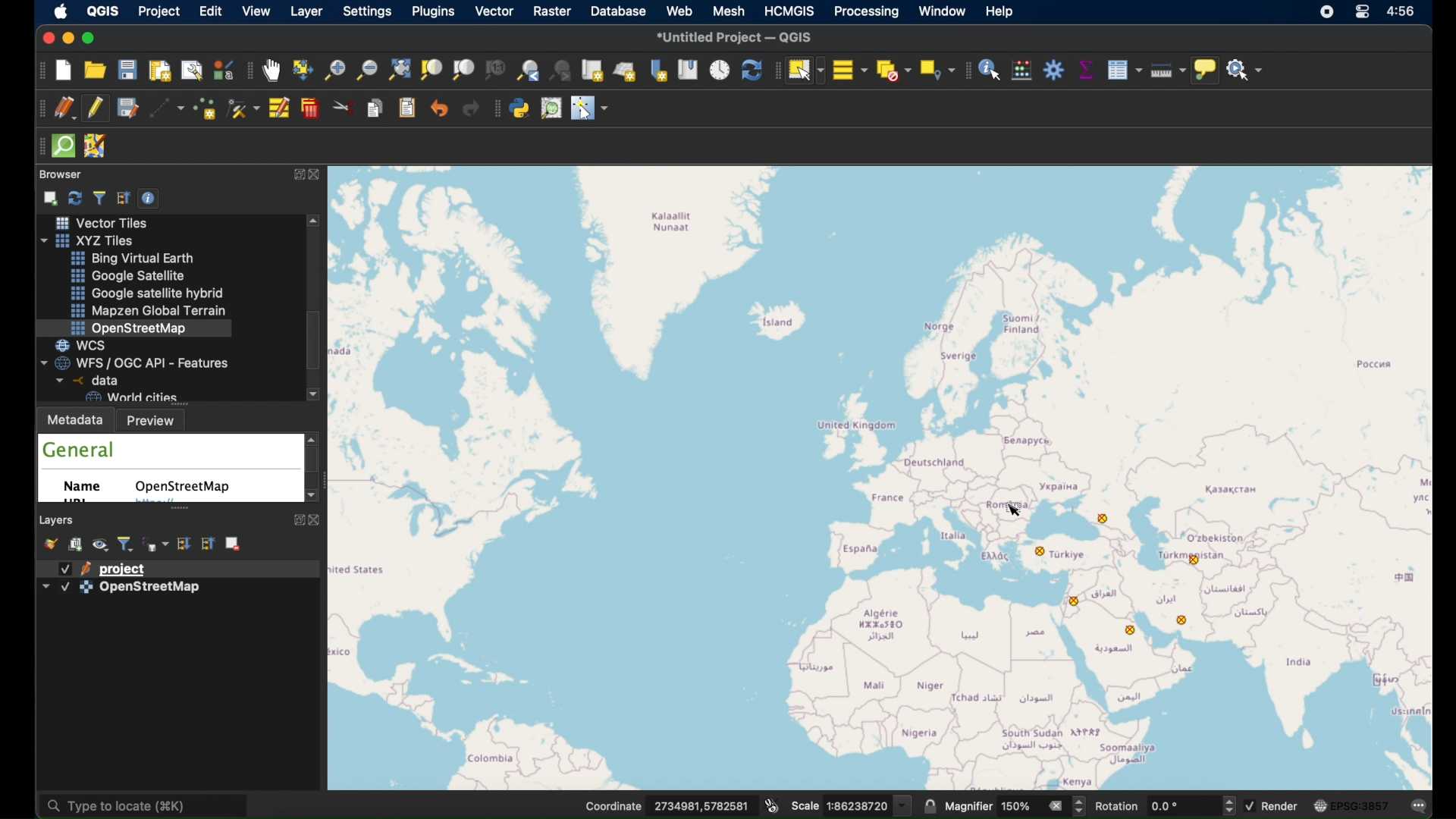  What do you see at coordinates (1164, 69) in the screenshot?
I see `measure line` at bounding box center [1164, 69].